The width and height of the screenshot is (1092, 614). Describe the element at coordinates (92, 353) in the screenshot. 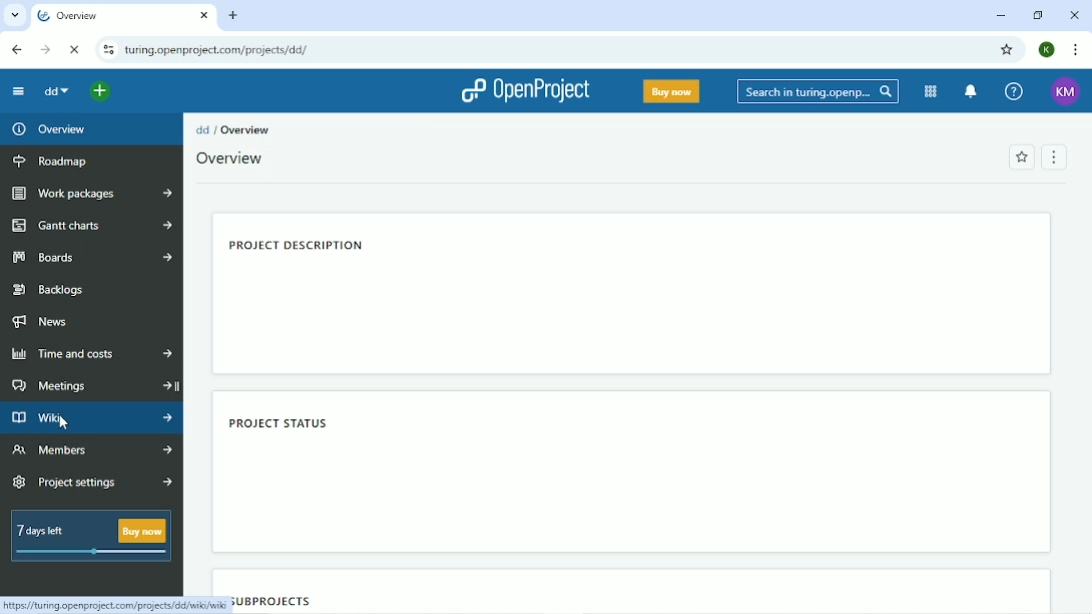

I see `Time and costs` at that location.